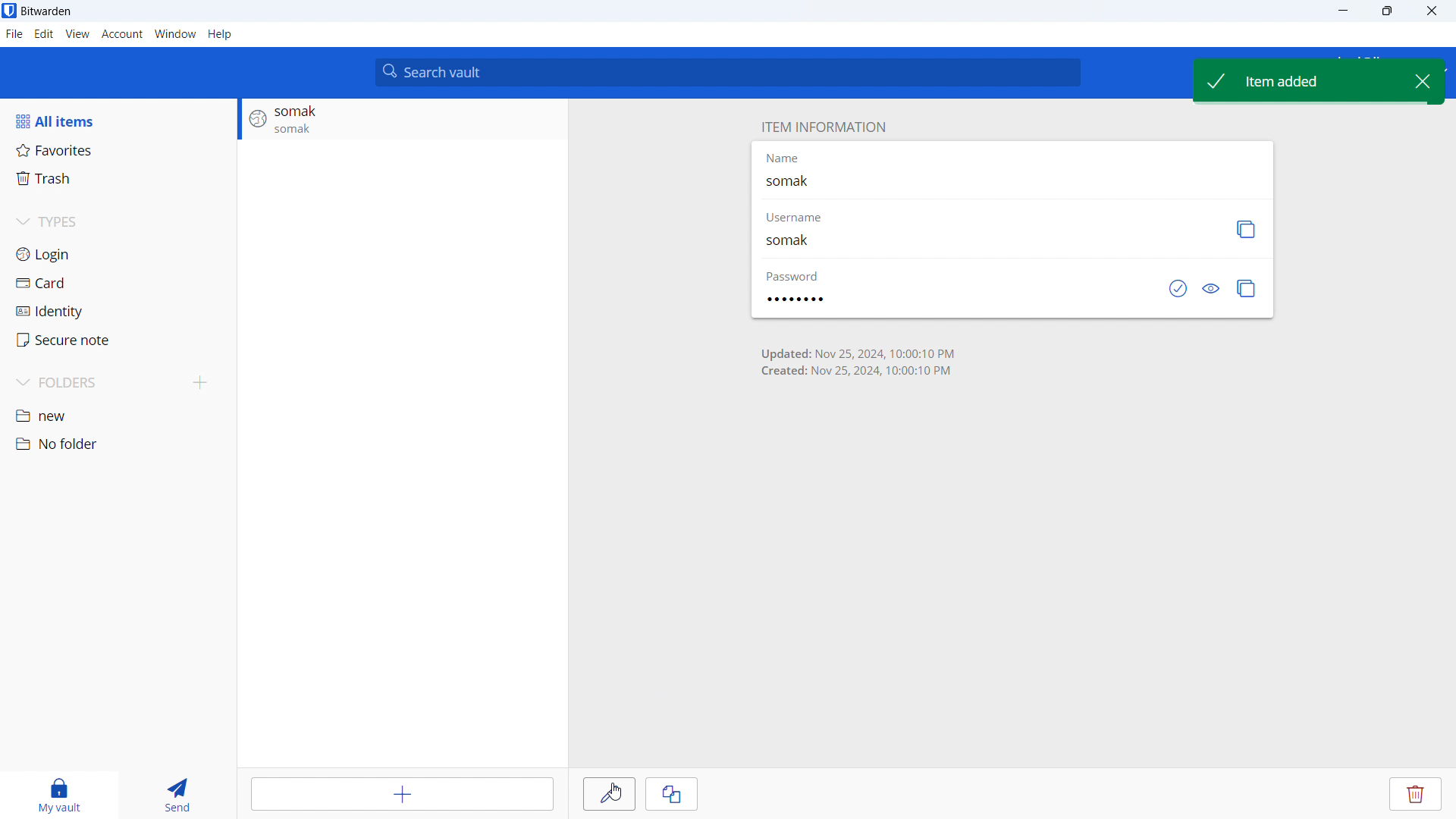  I want to click on view, so click(77, 34).